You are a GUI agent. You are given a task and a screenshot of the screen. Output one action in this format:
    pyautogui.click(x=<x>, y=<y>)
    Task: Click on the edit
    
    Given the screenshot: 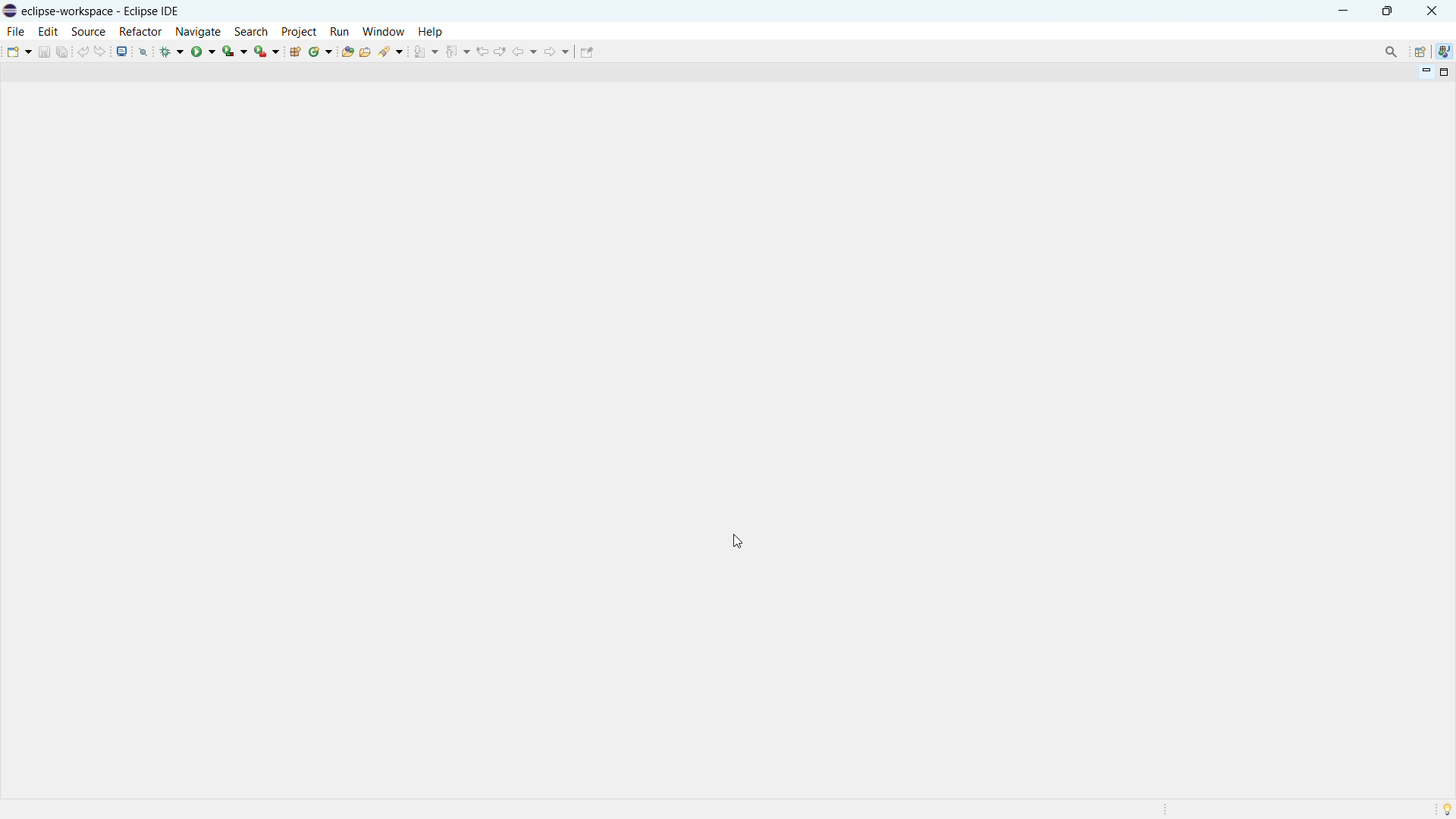 What is the action you would take?
    pyautogui.click(x=49, y=31)
    